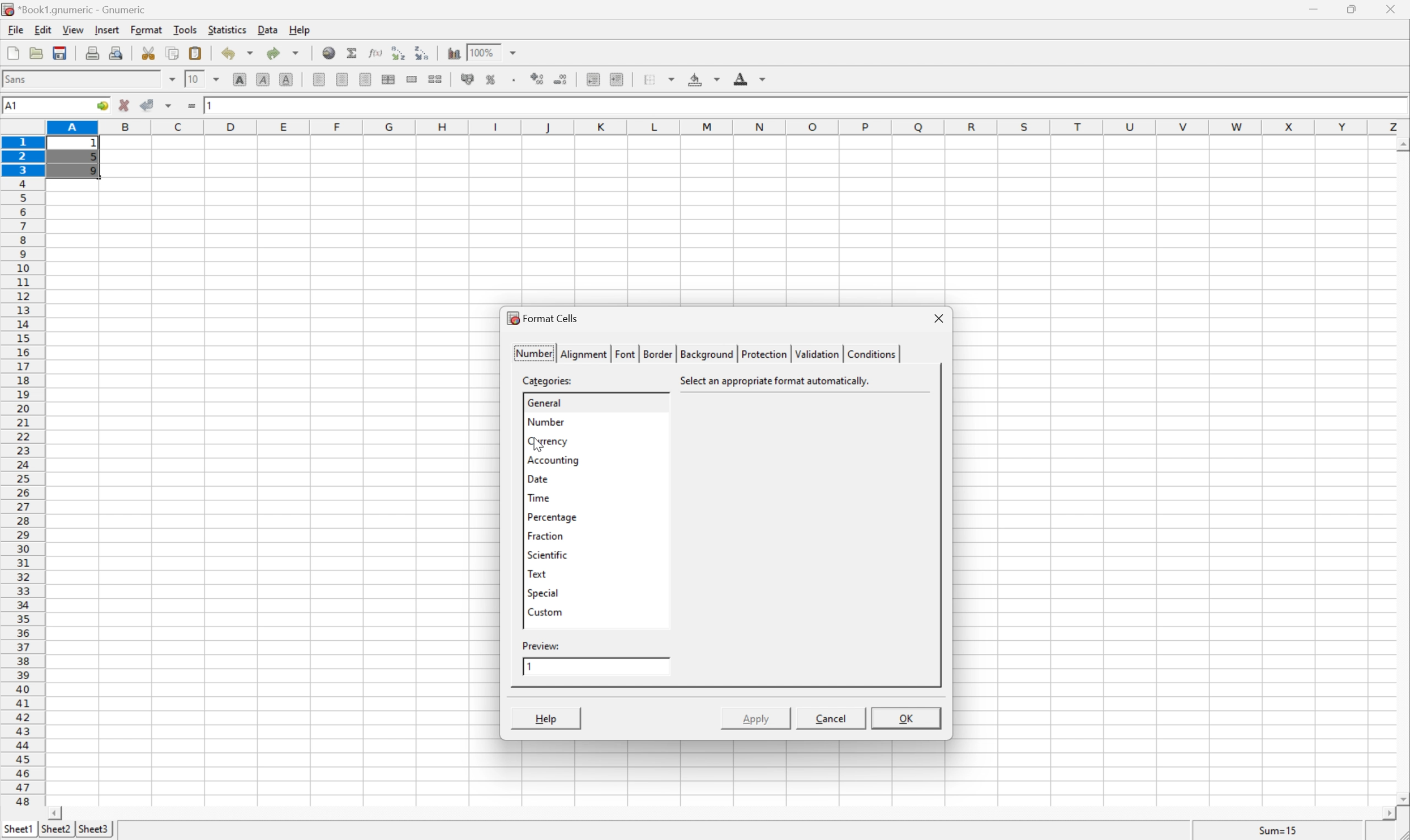 This screenshot has width=1410, height=840. I want to click on accept changes, so click(148, 104).